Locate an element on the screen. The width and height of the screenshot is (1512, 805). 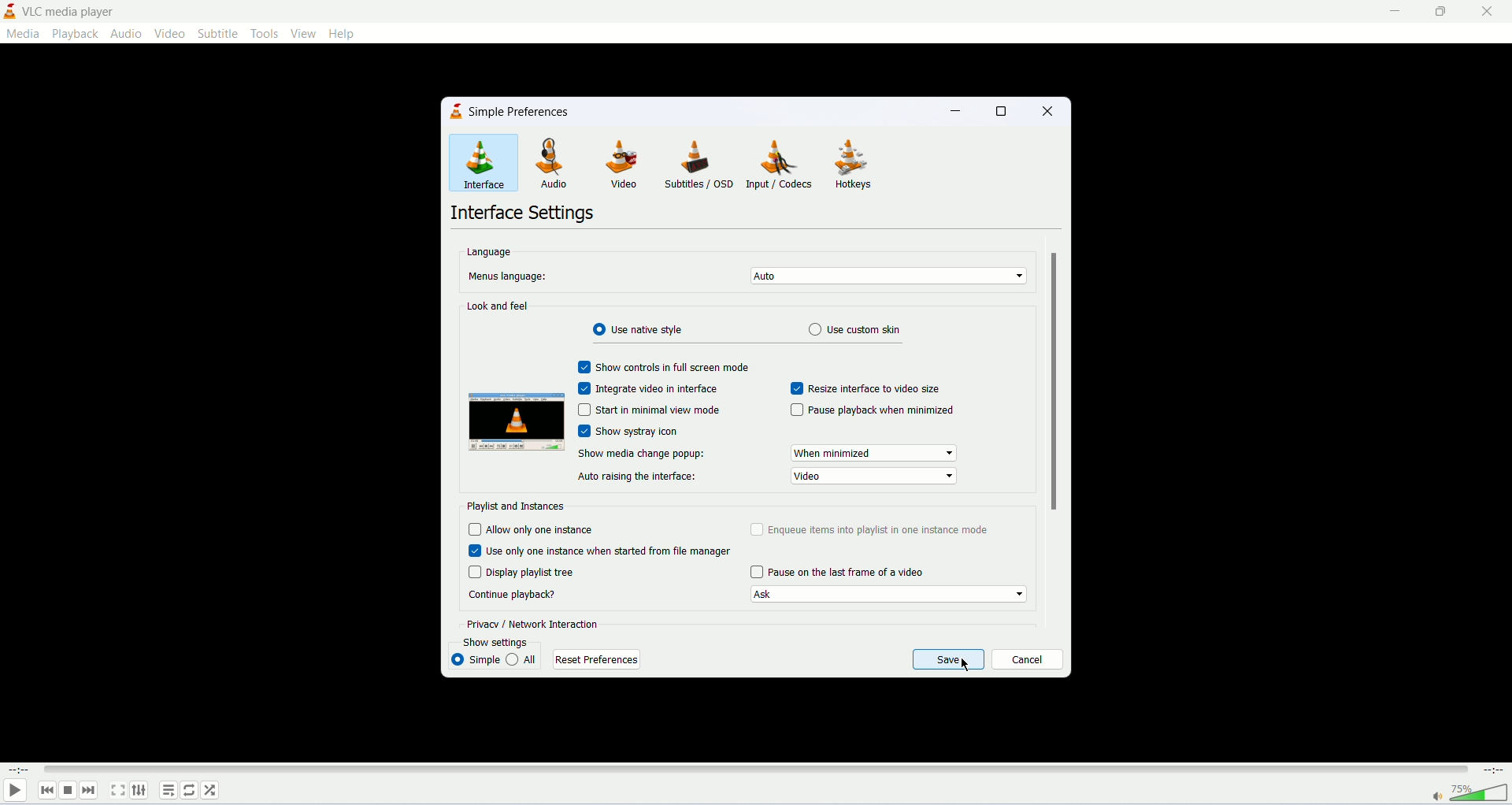
integrate video in interface is located at coordinates (647, 388).